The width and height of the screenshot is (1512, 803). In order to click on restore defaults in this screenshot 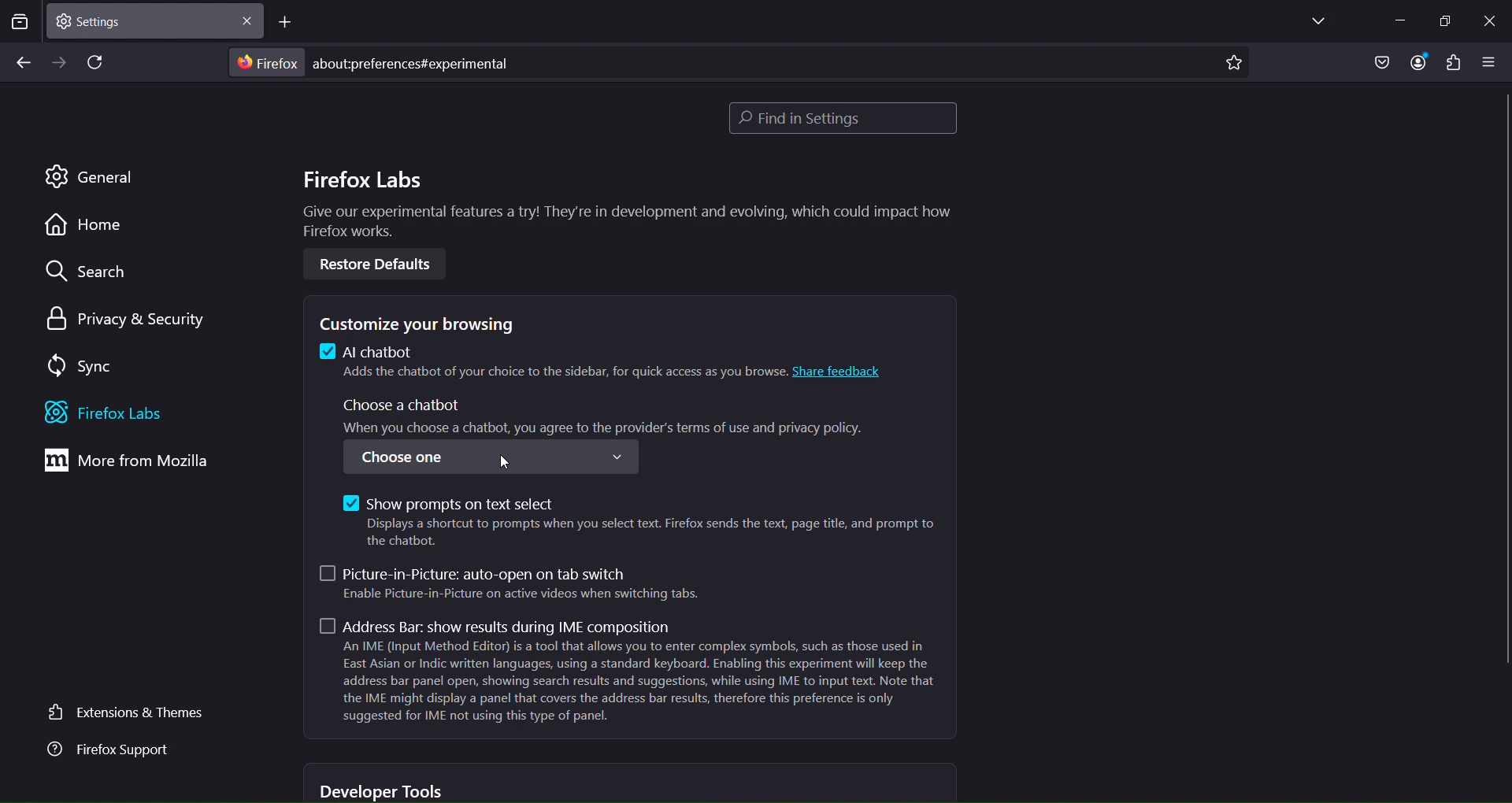, I will do `click(375, 264)`.